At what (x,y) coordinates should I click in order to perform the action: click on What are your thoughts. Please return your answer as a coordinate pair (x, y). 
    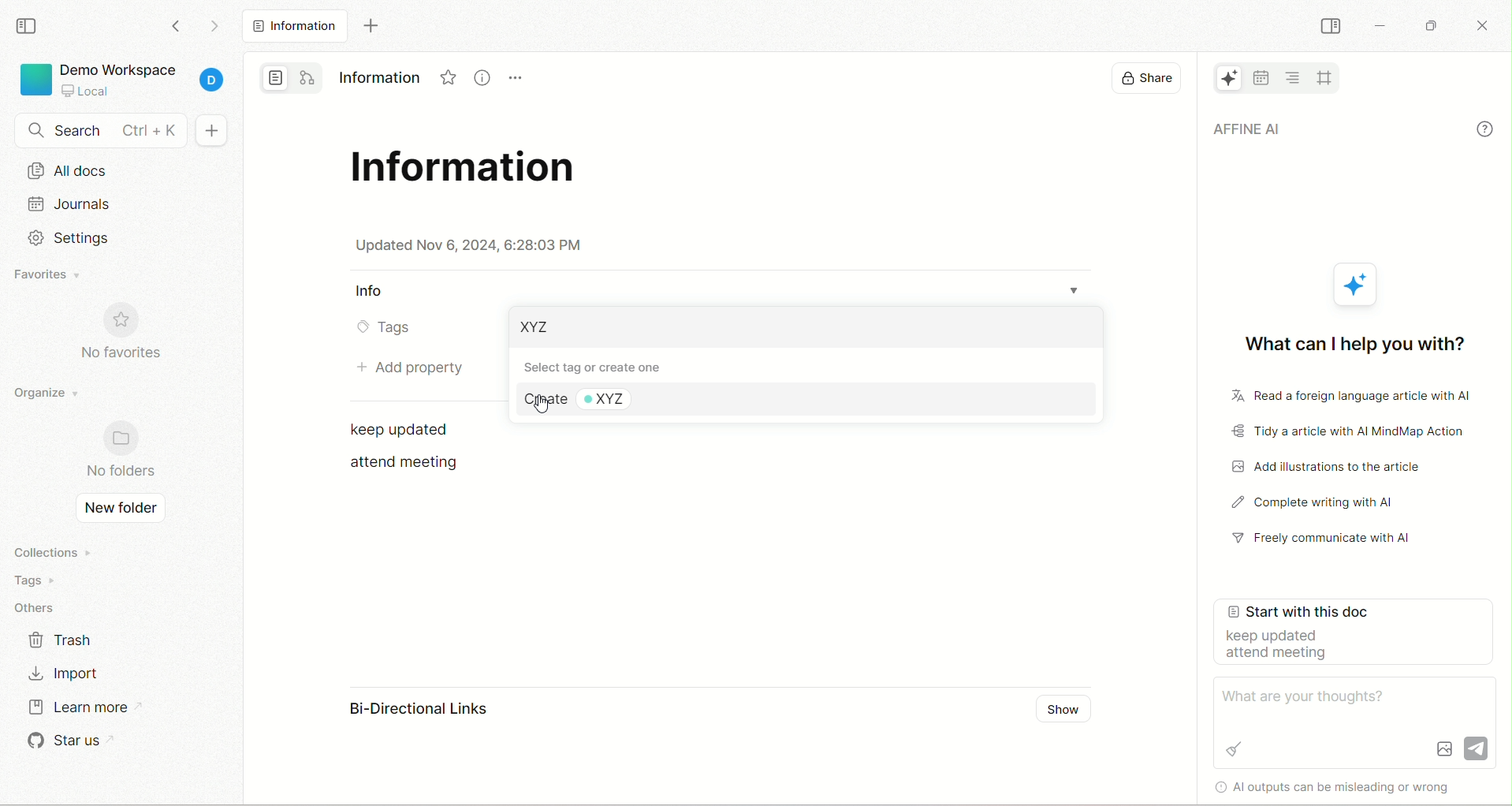
    Looking at the image, I should click on (1310, 696).